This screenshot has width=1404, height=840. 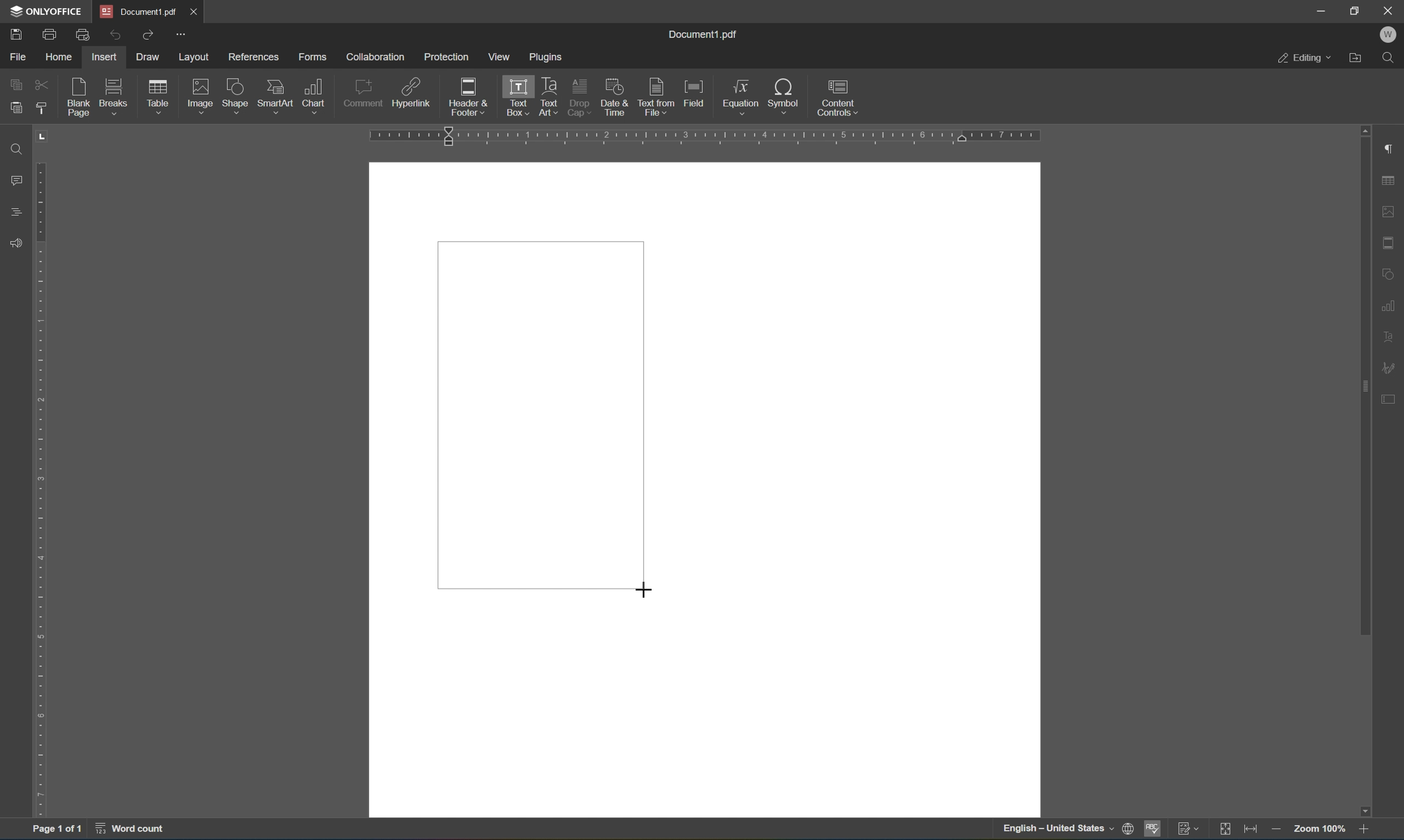 I want to click on text from file, so click(x=658, y=97).